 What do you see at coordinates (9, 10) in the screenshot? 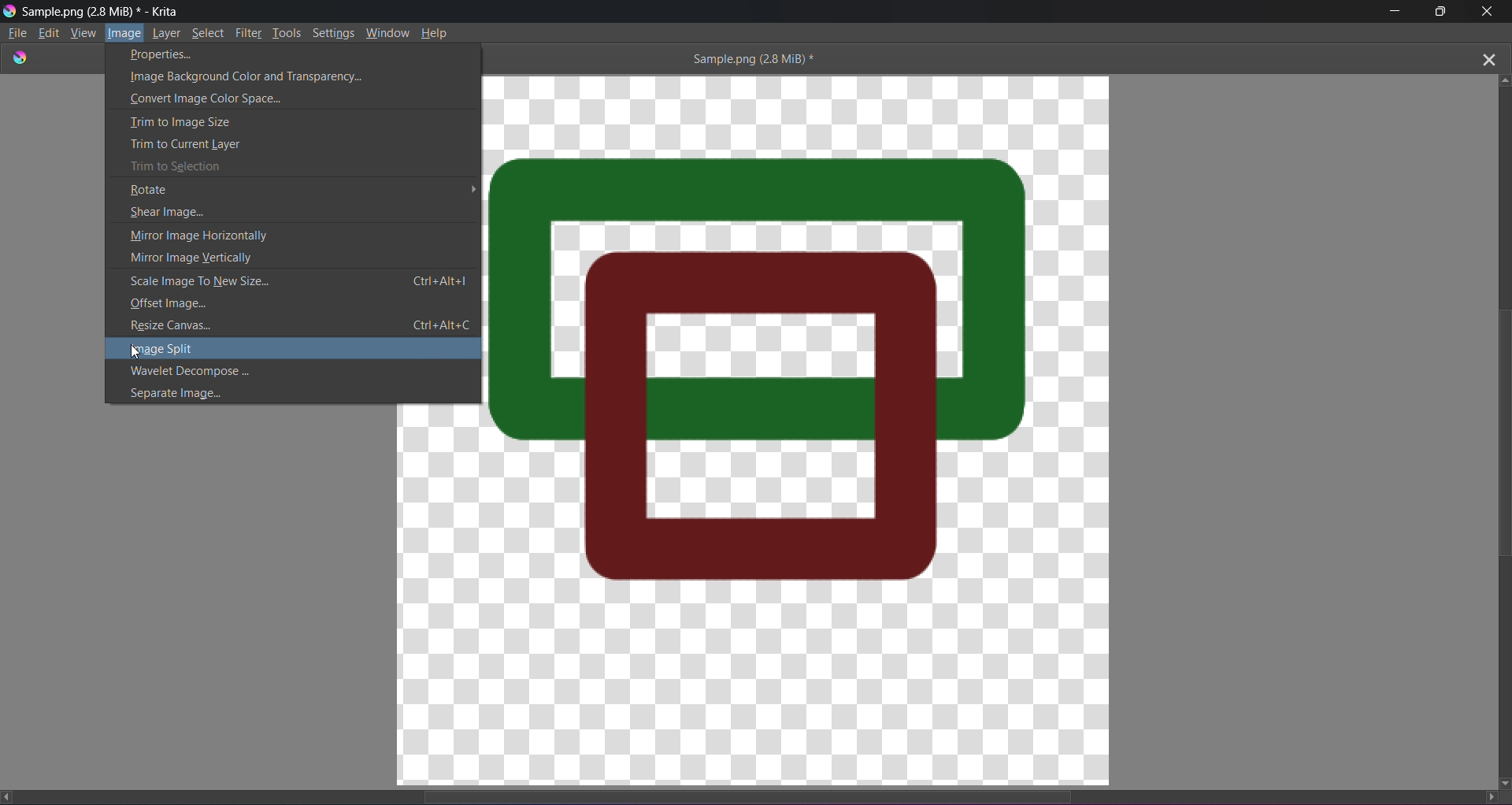
I see `Logo` at bounding box center [9, 10].